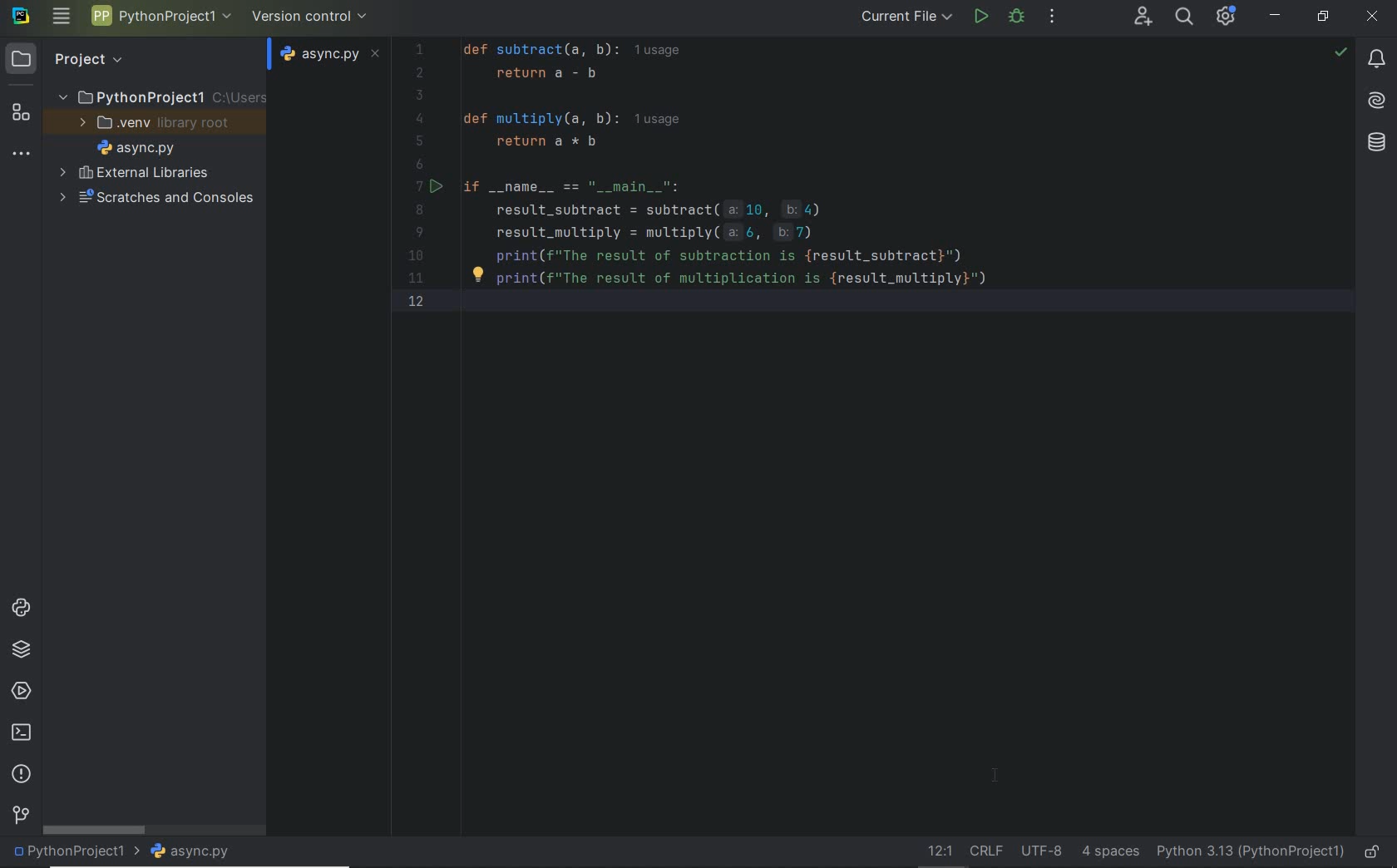 This screenshot has height=868, width=1397. Describe the element at coordinates (196, 851) in the screenshot. I see `file name` at that location.